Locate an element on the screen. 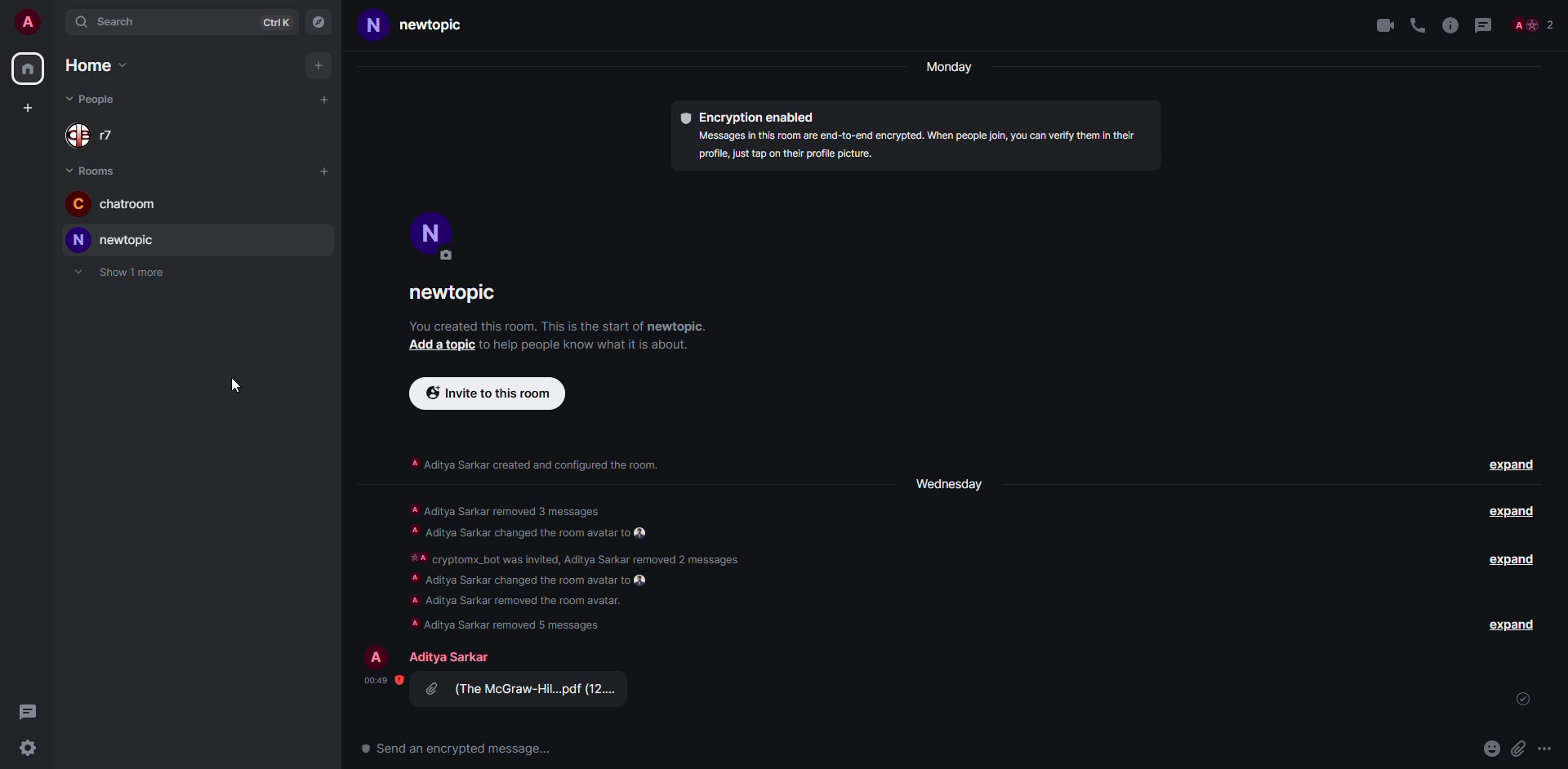 The height and width of the screenshot is (769, 1568). set is located at coordinates (1524, 701).